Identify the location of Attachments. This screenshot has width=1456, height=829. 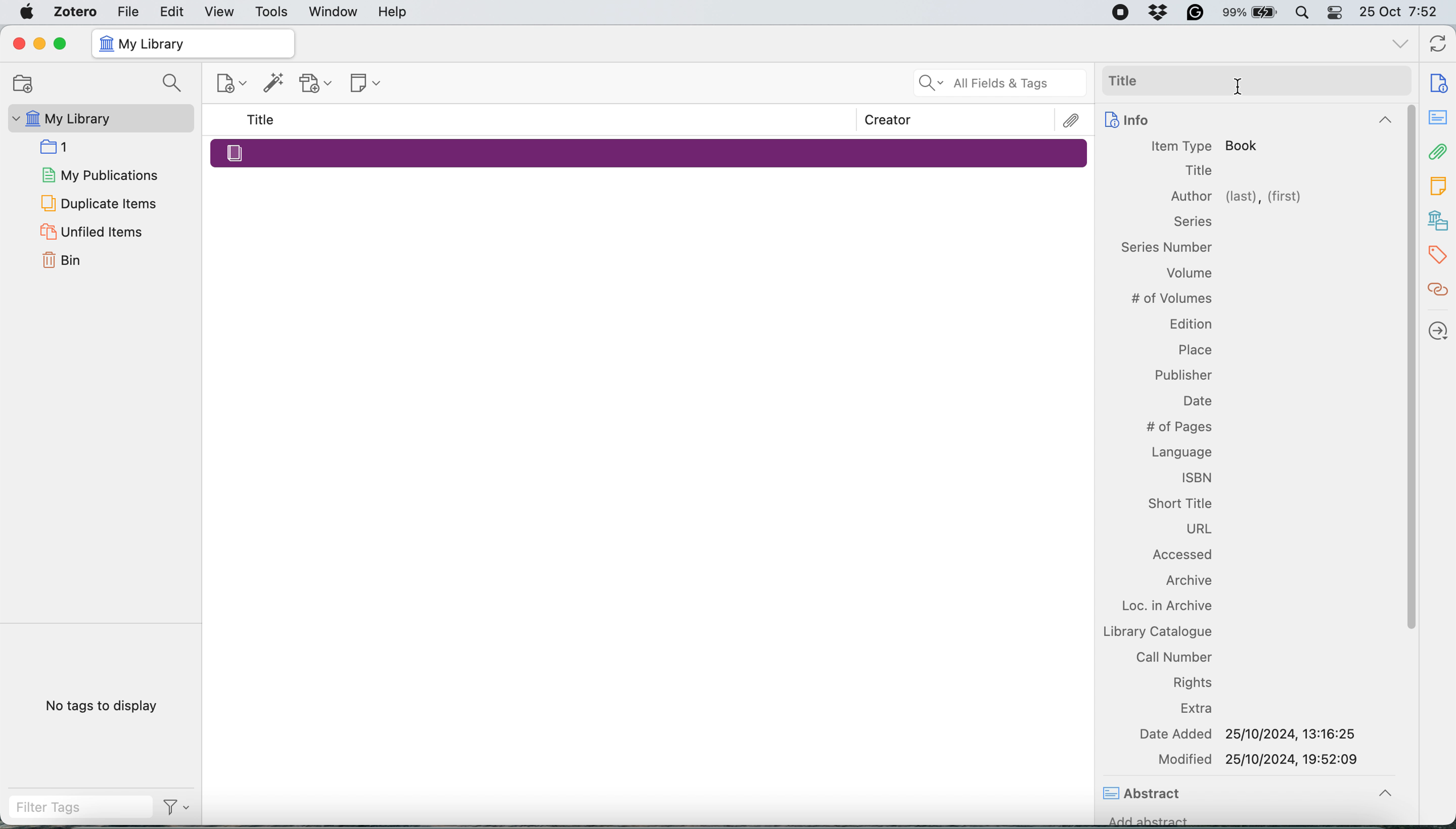
(1072, 121).